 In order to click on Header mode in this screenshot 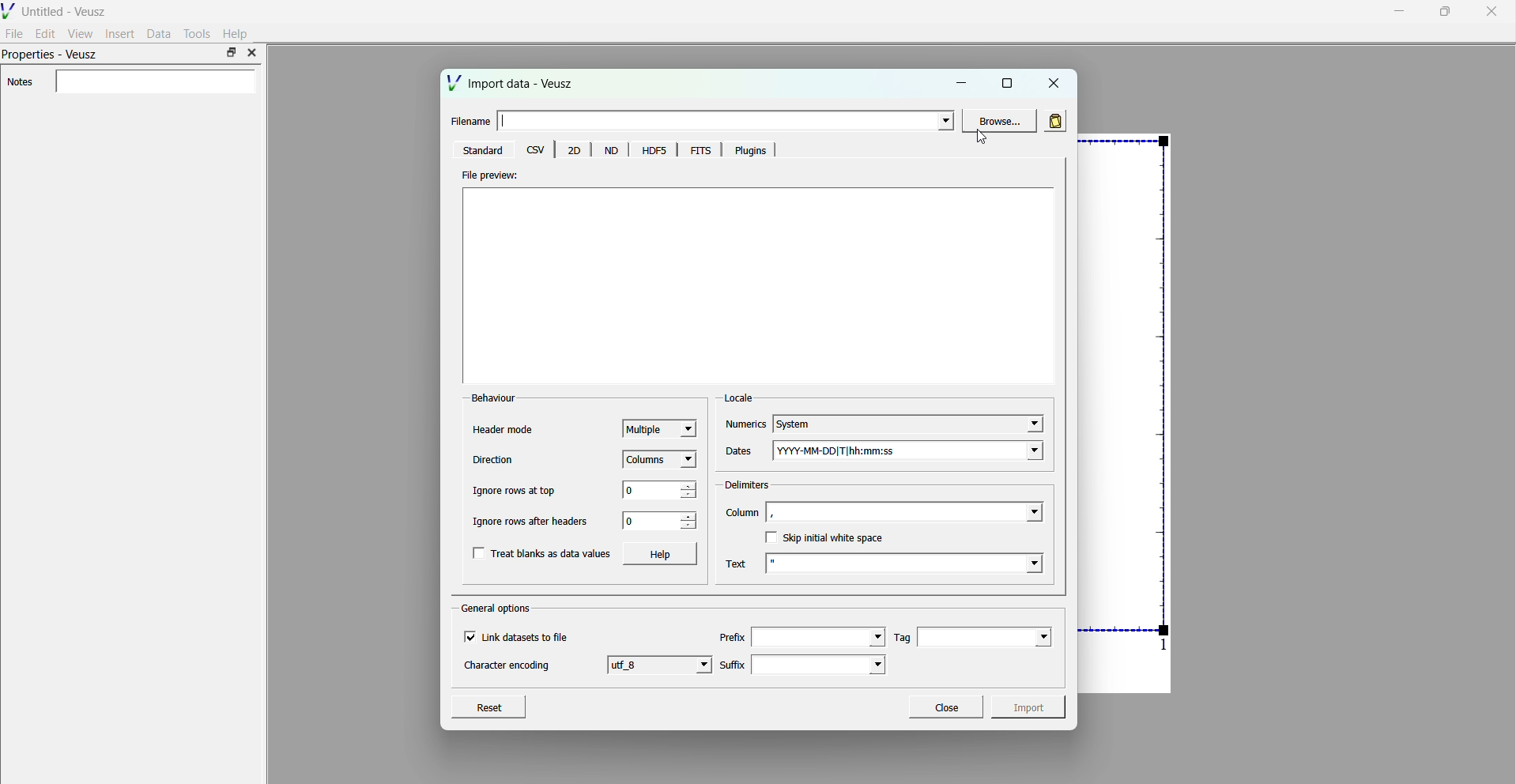, I will do `click(501, 432)`.